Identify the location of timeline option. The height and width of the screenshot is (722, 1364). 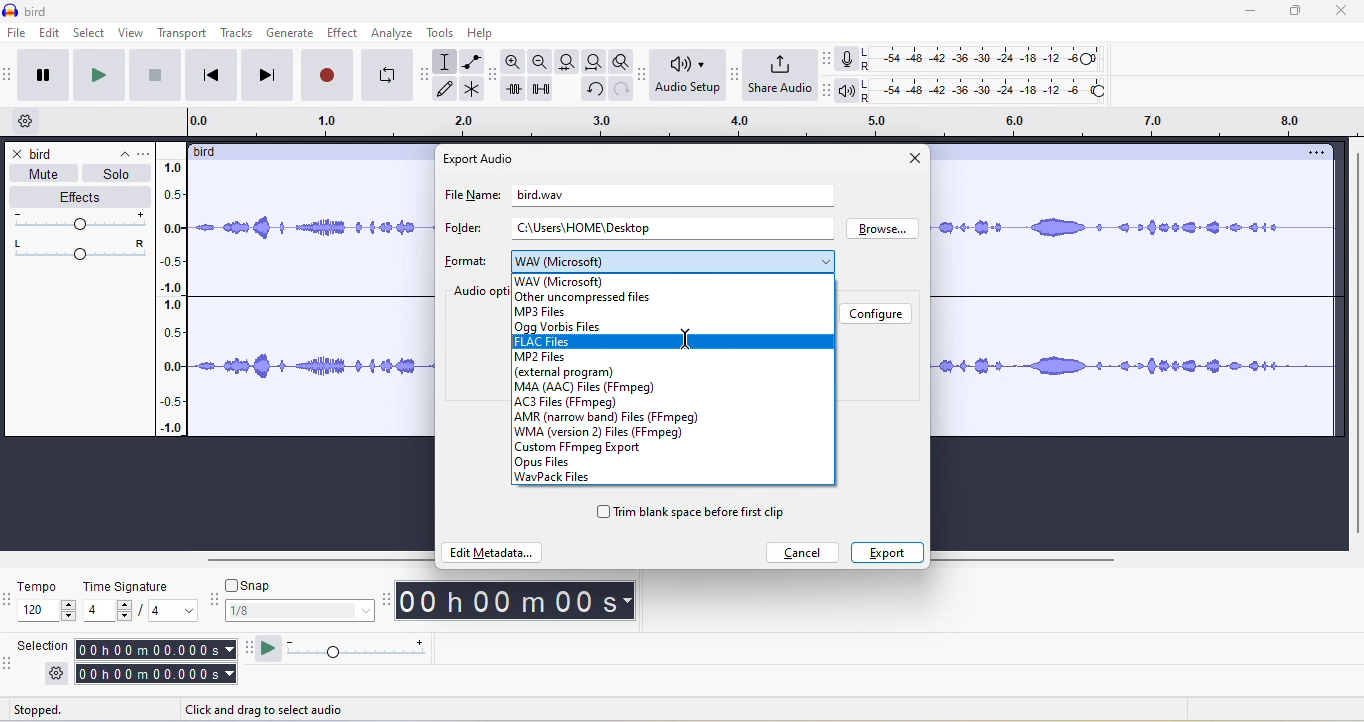
(29, 122).